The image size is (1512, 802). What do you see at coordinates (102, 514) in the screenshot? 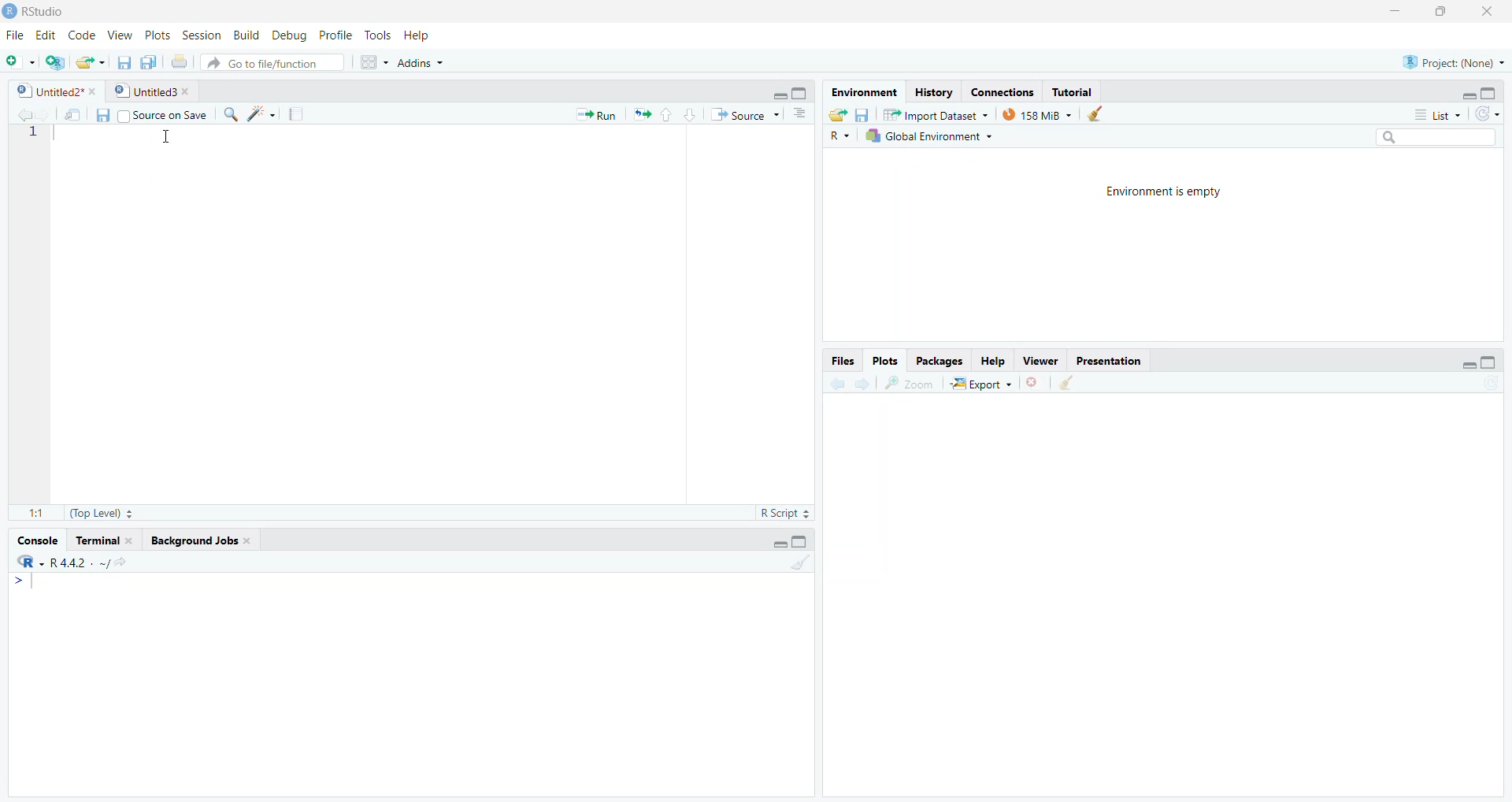
I see `(Top Level) ` at bounding box center [102, 514].